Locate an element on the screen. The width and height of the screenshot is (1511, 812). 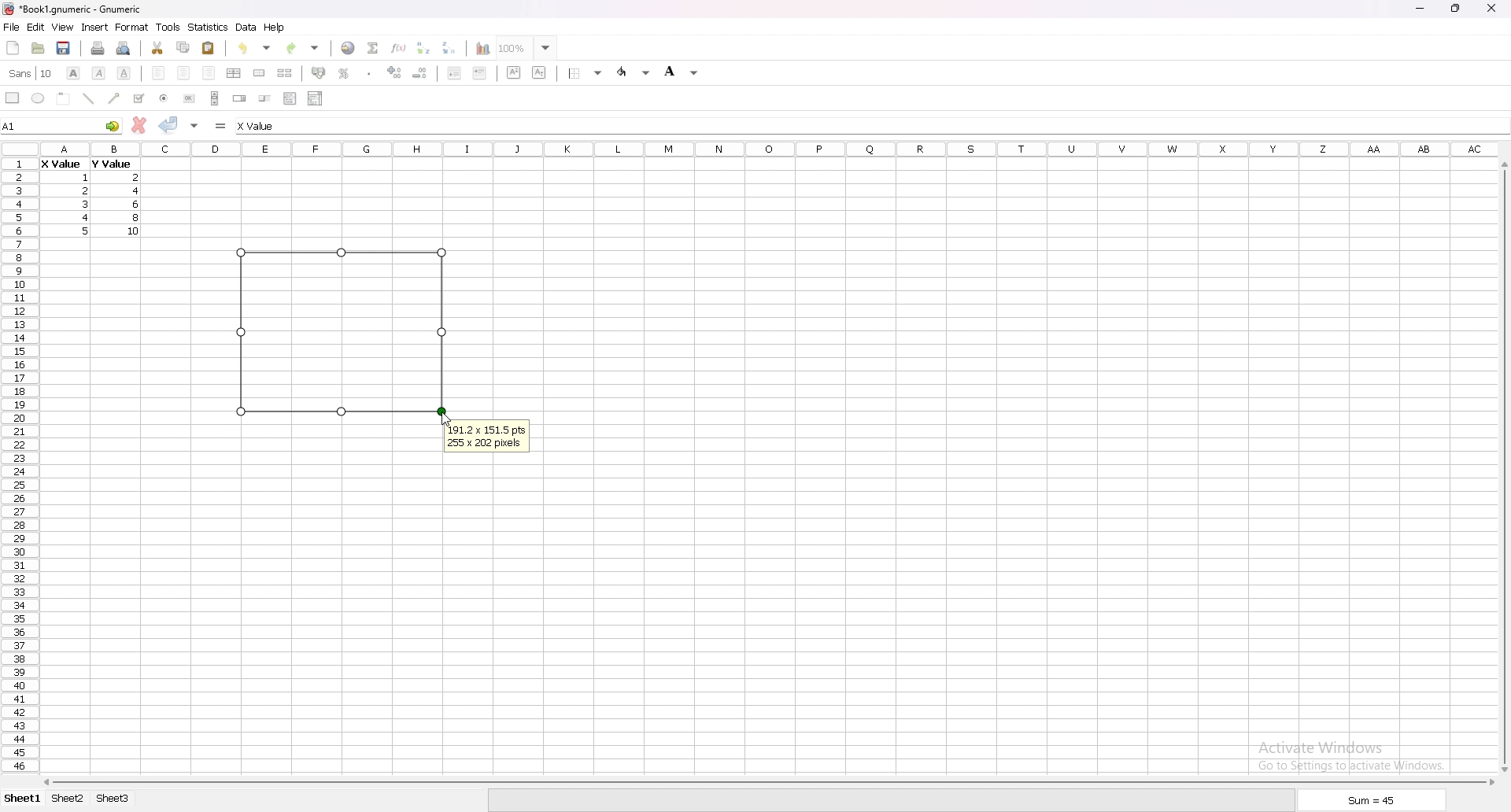
percentage is located at coordinates (344, 73).